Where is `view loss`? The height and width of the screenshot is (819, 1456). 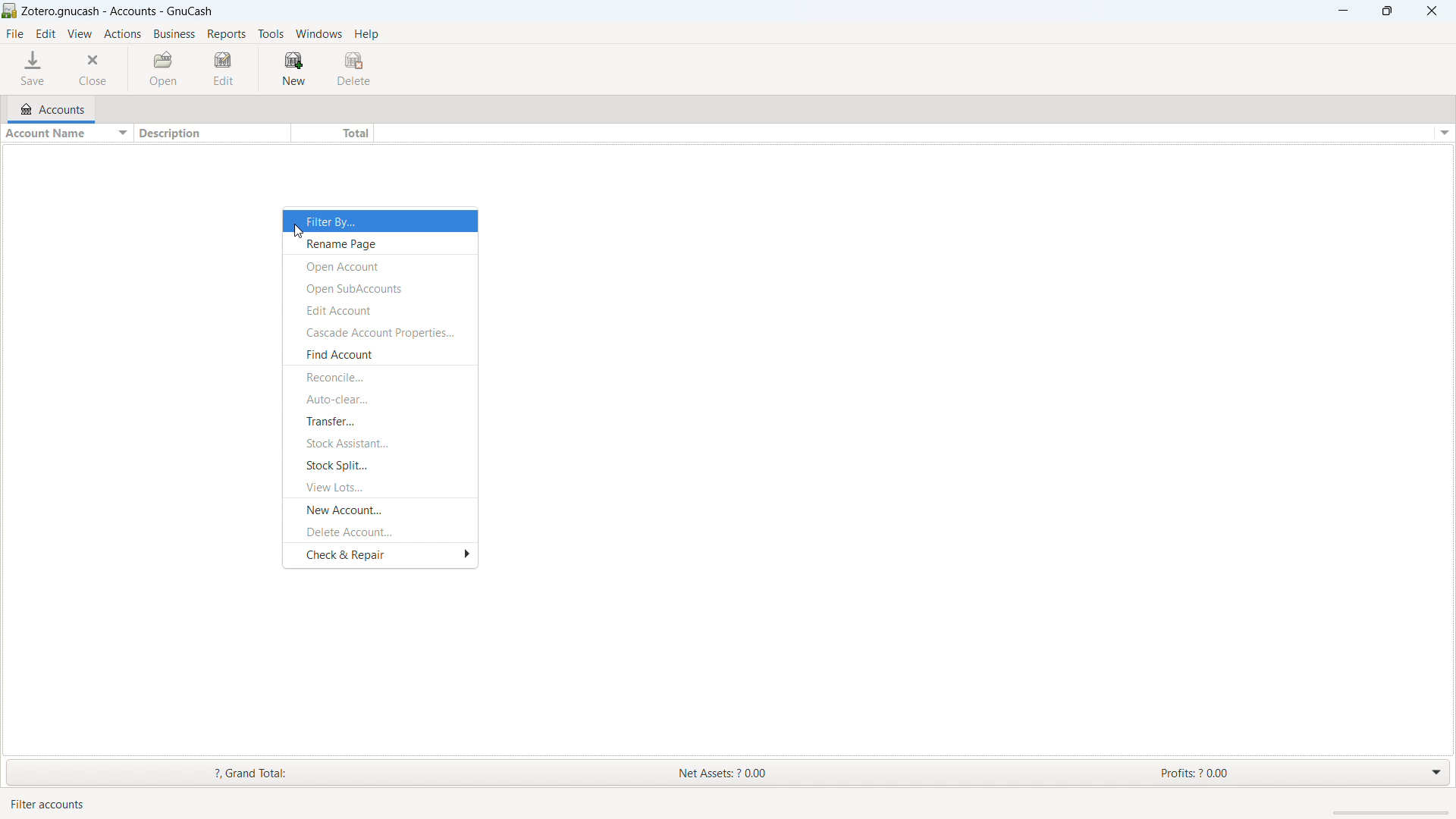 view loss is located at coordinates (379, 487).